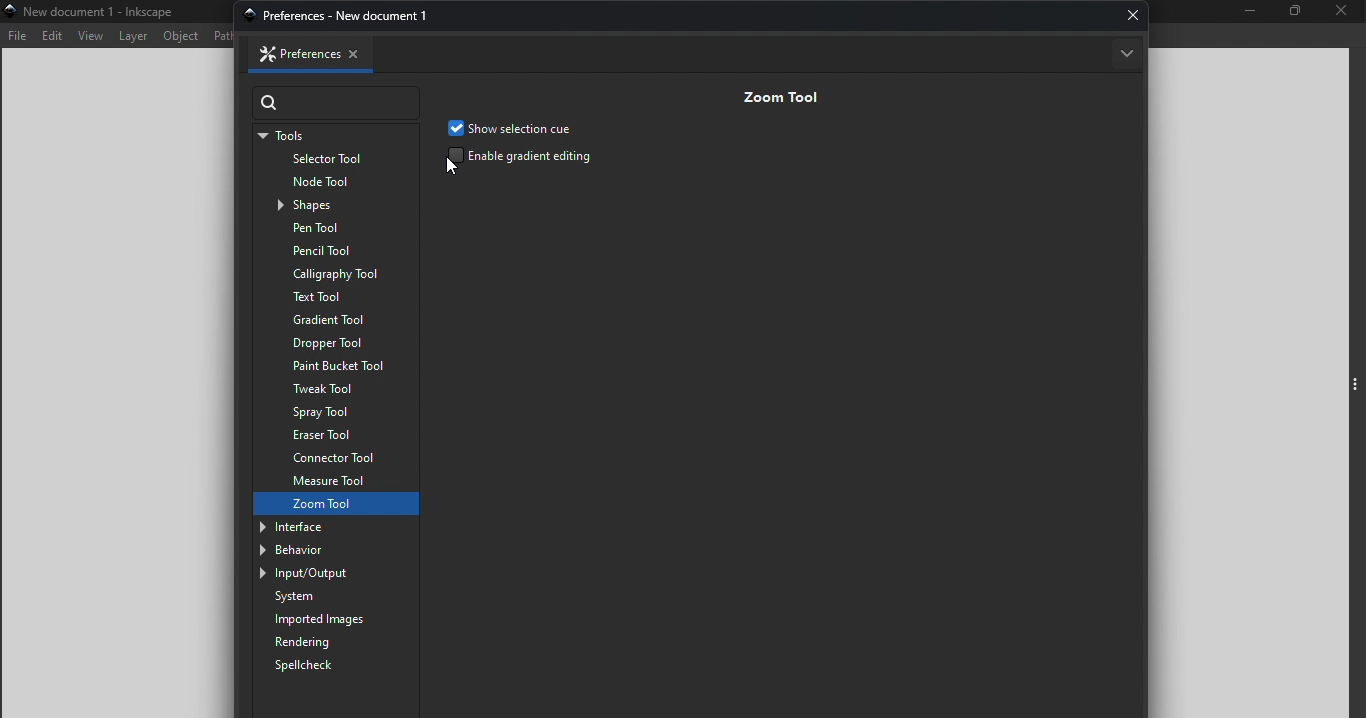 The width and height of the screenshot is (1366, 718). Describe the element at coordinates (338, 434) in the screenshot. I see `Eraser tool` at that location.